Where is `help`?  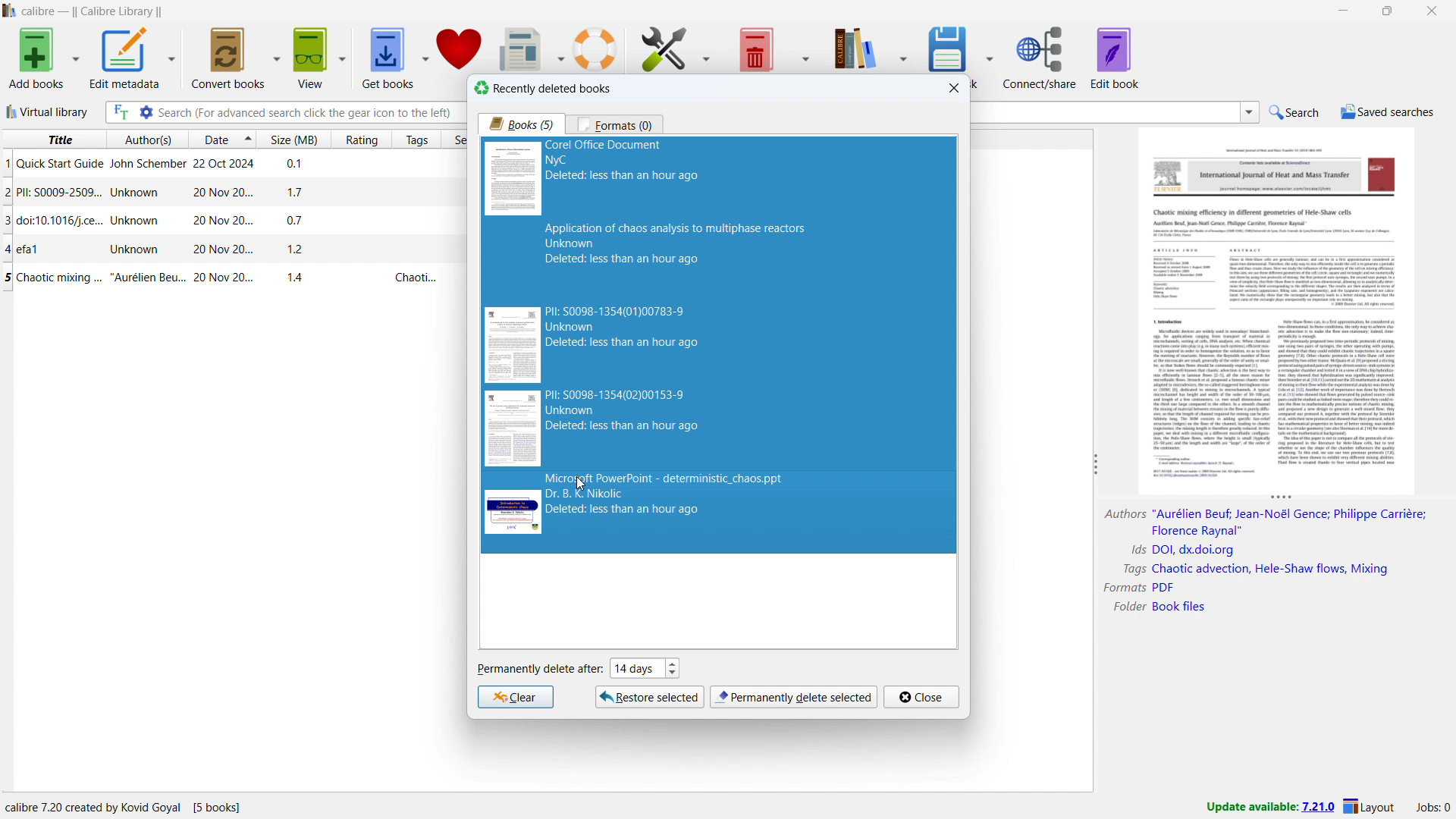
help is located at coordinates (595, 49).